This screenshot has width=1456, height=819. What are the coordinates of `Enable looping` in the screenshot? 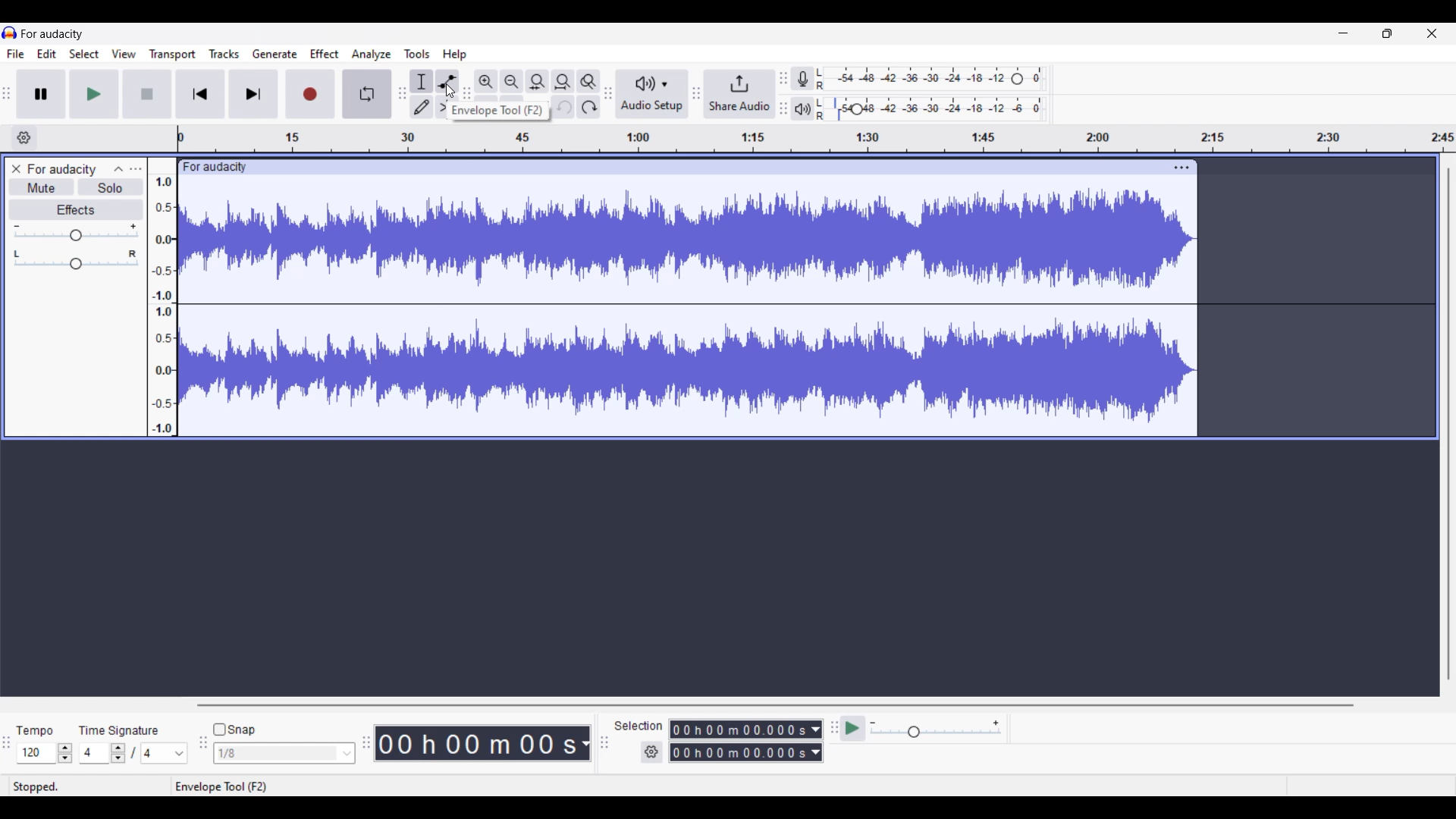 It's located at (367, 94).